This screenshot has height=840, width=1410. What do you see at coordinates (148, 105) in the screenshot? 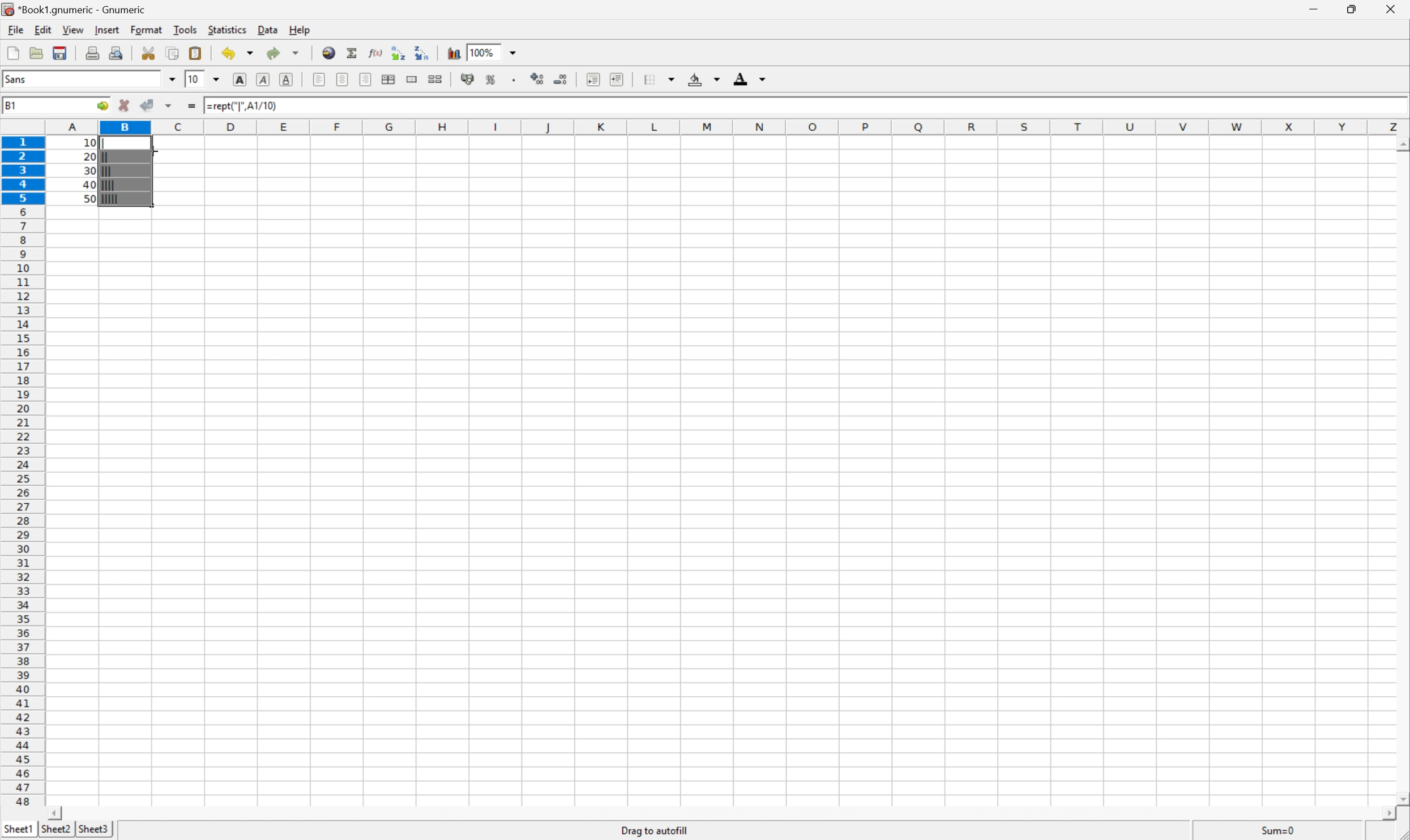
I see `Accept changes` at bounding box center [148, 105].